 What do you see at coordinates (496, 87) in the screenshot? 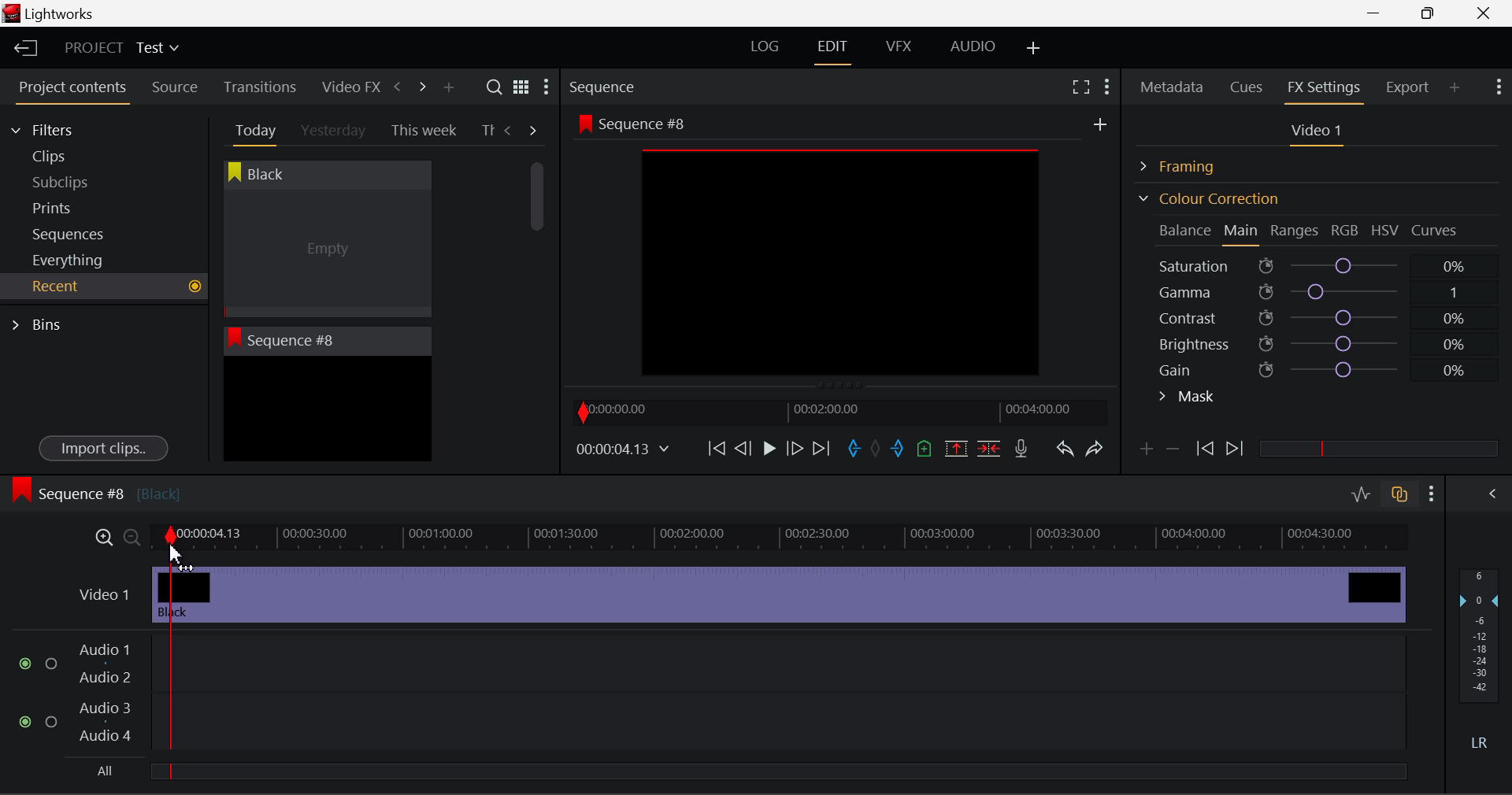
I see `Search` at bounding box center [496, 87].